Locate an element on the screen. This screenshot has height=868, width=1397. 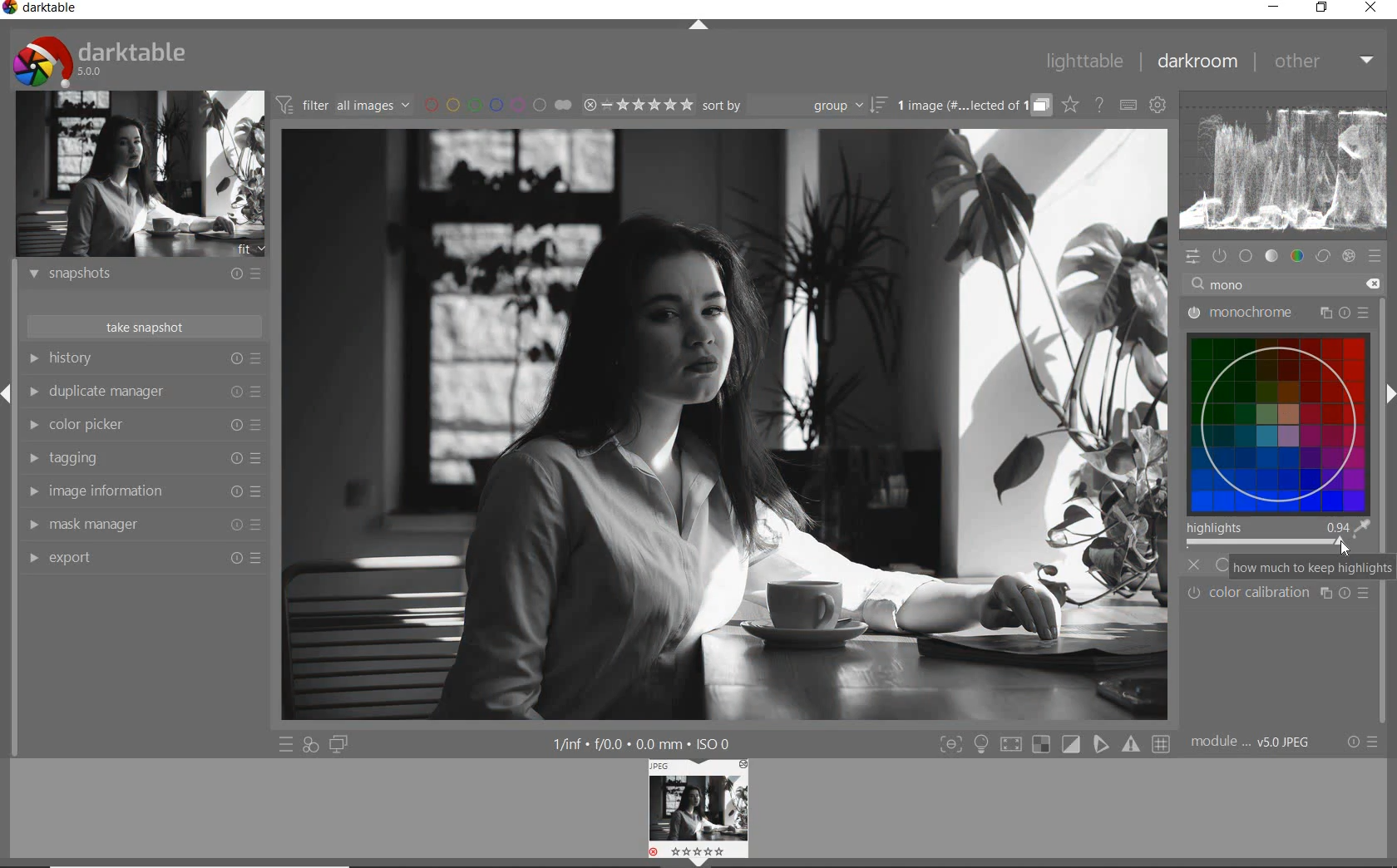
darkroom is located at coordinates (1199, 62).